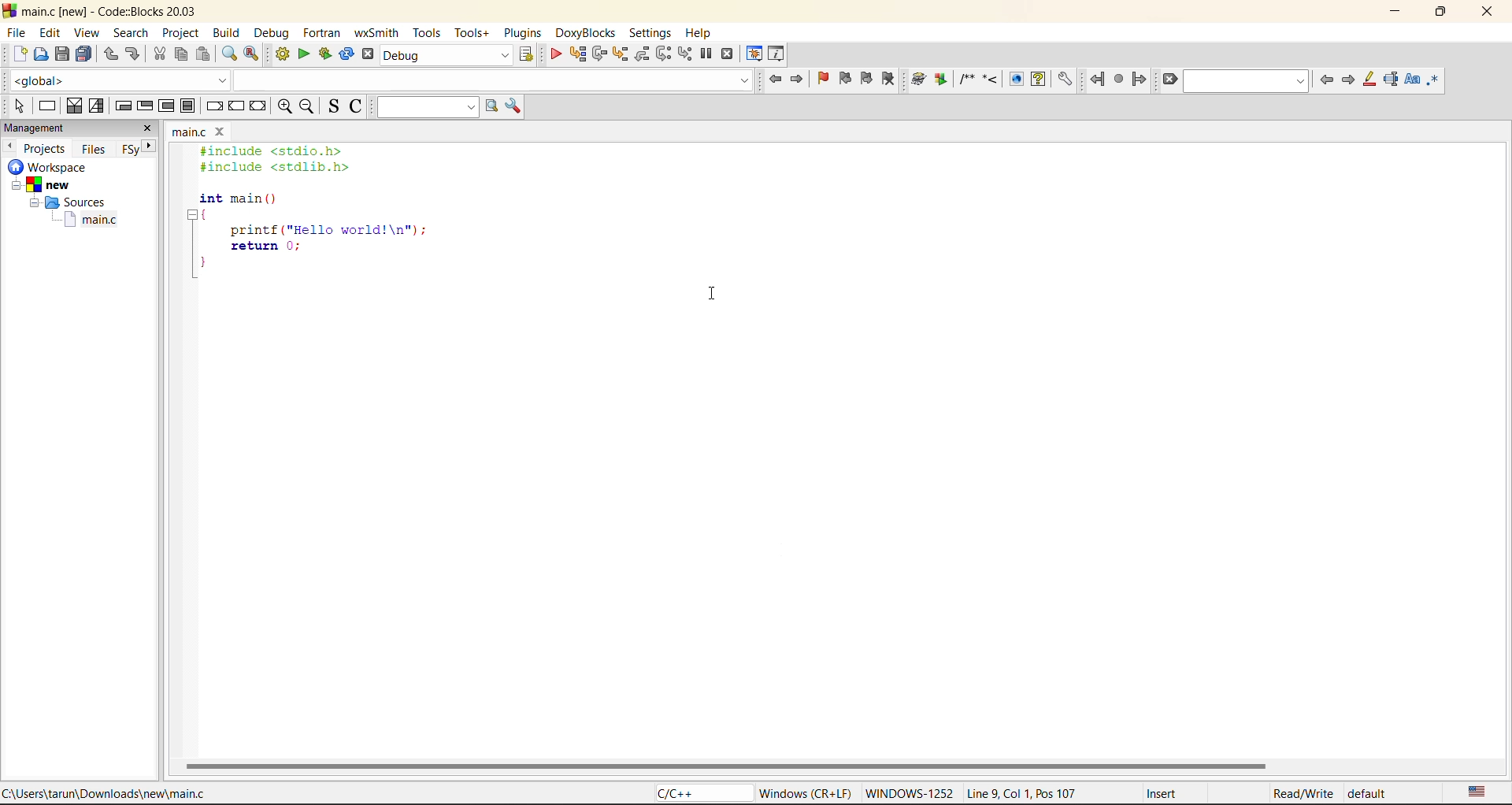  I want to click on doxyblocks, so click(584, 33).